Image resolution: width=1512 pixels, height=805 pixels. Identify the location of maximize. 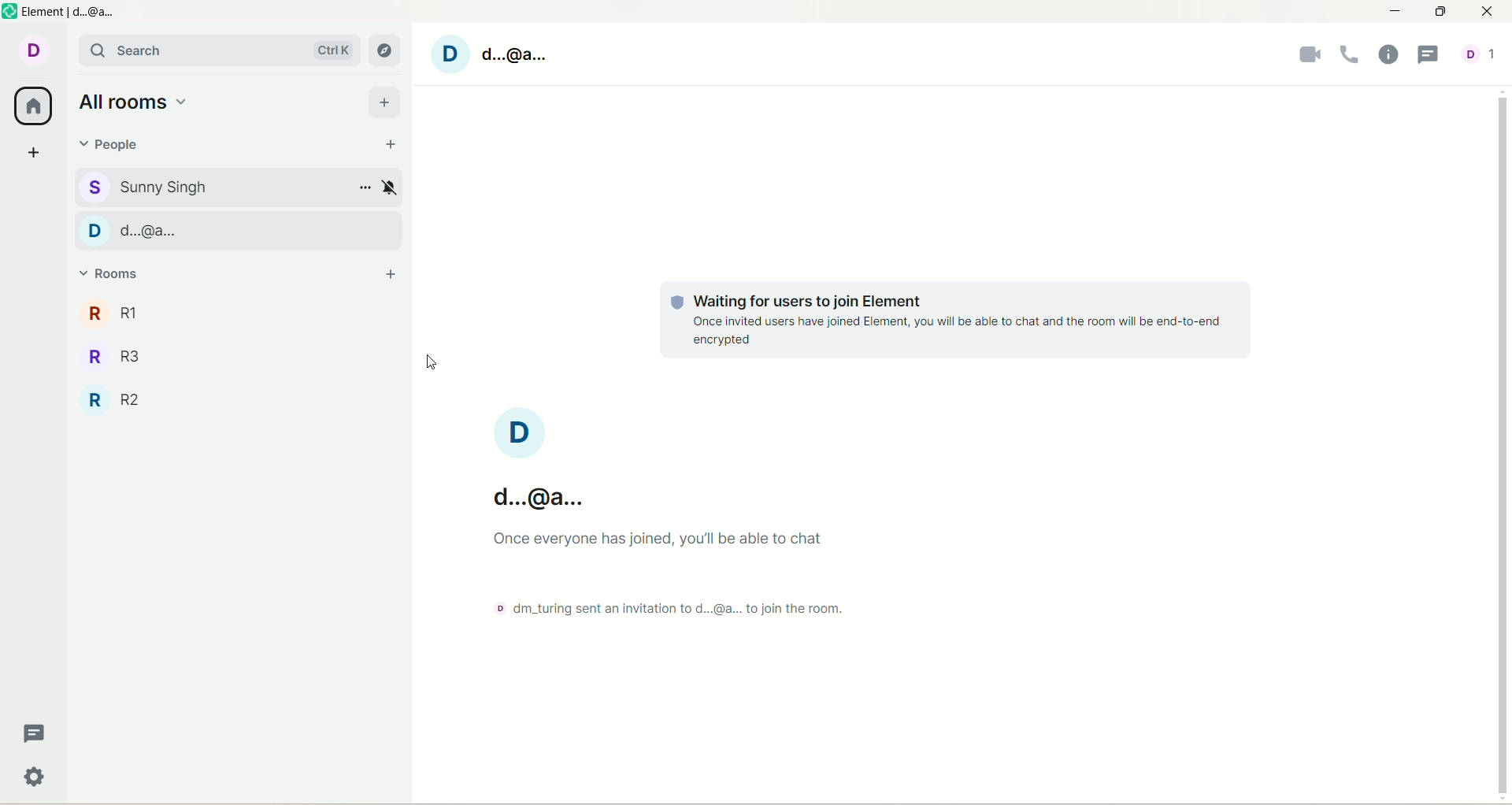
(1439, 13).